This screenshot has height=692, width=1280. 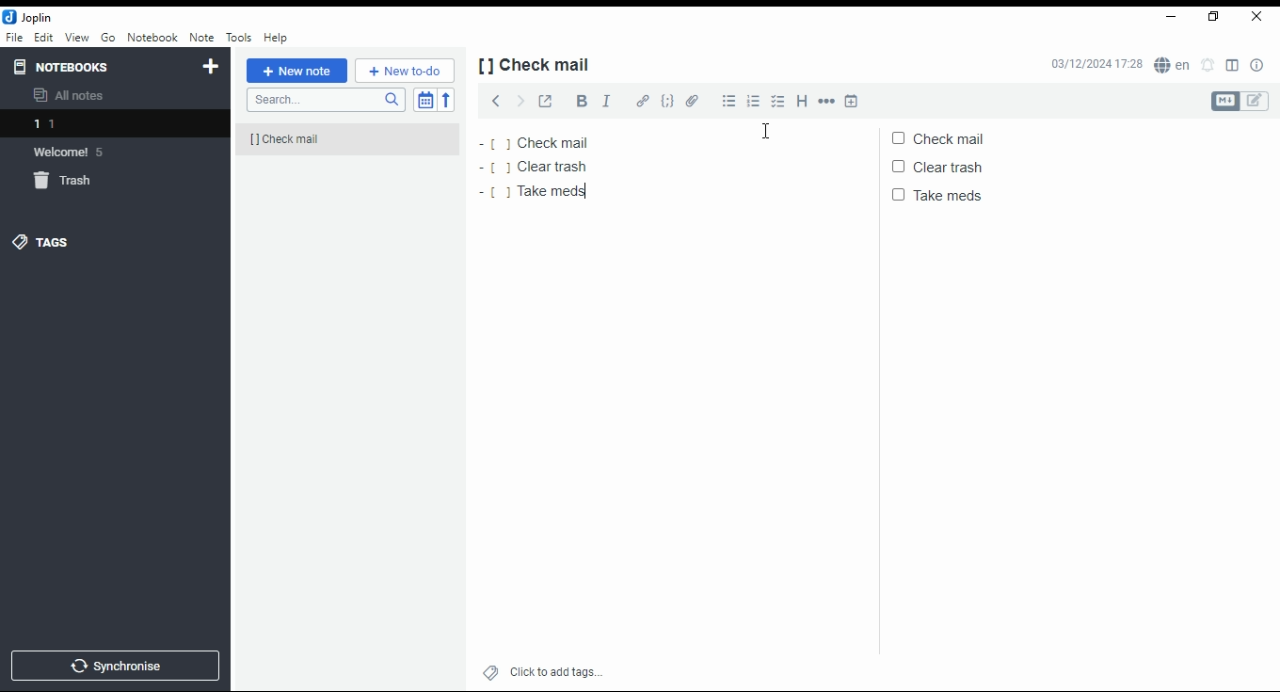 What do you see at coordinates (73, 67) in the screenshot?
I see `notebooks` at bounding box center [73, 67].